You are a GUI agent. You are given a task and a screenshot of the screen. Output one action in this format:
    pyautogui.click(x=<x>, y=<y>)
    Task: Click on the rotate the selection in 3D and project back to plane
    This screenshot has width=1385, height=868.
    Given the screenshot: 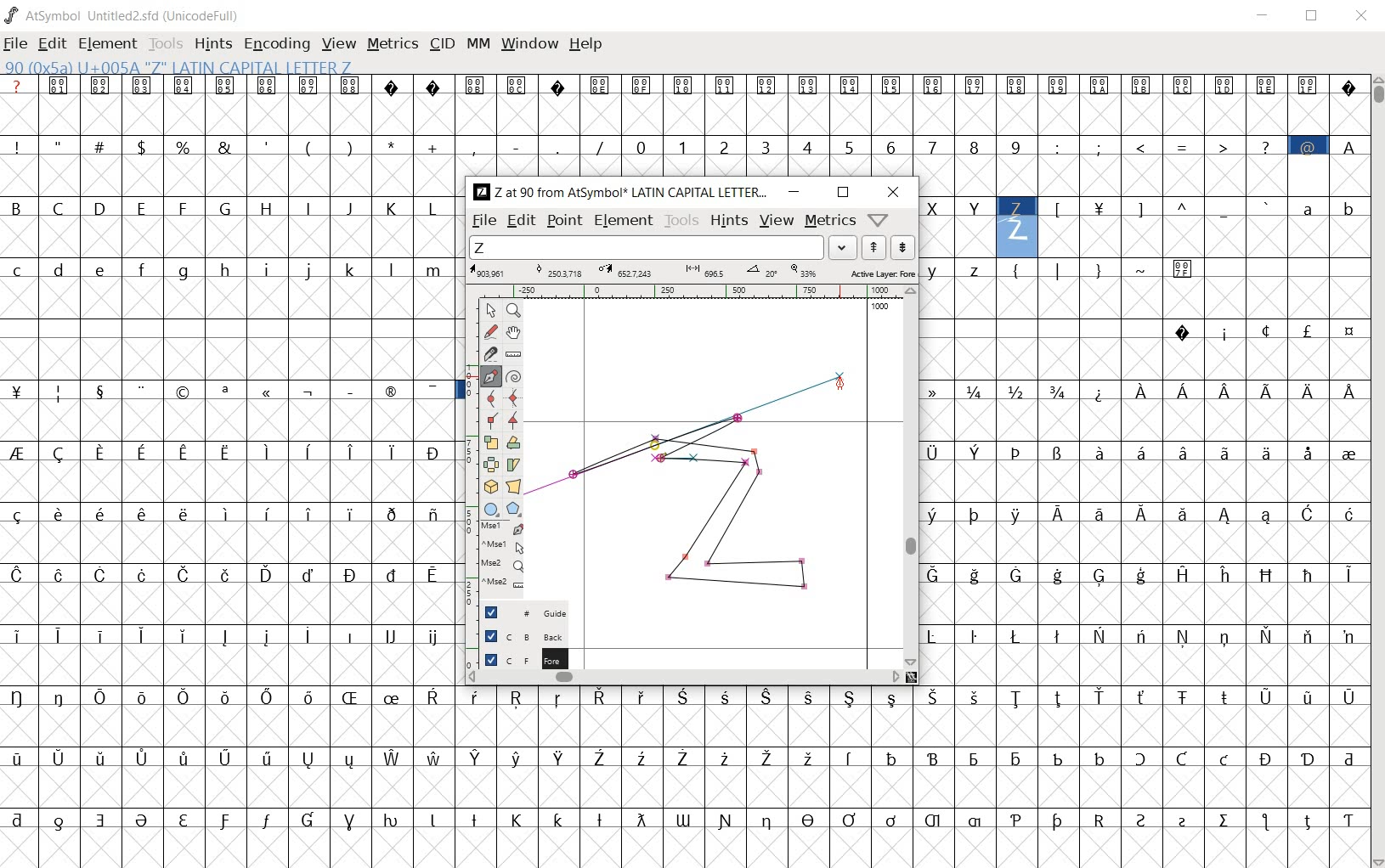 What is the action you would take?
    pyautogui.click(x=490, y=486)
    